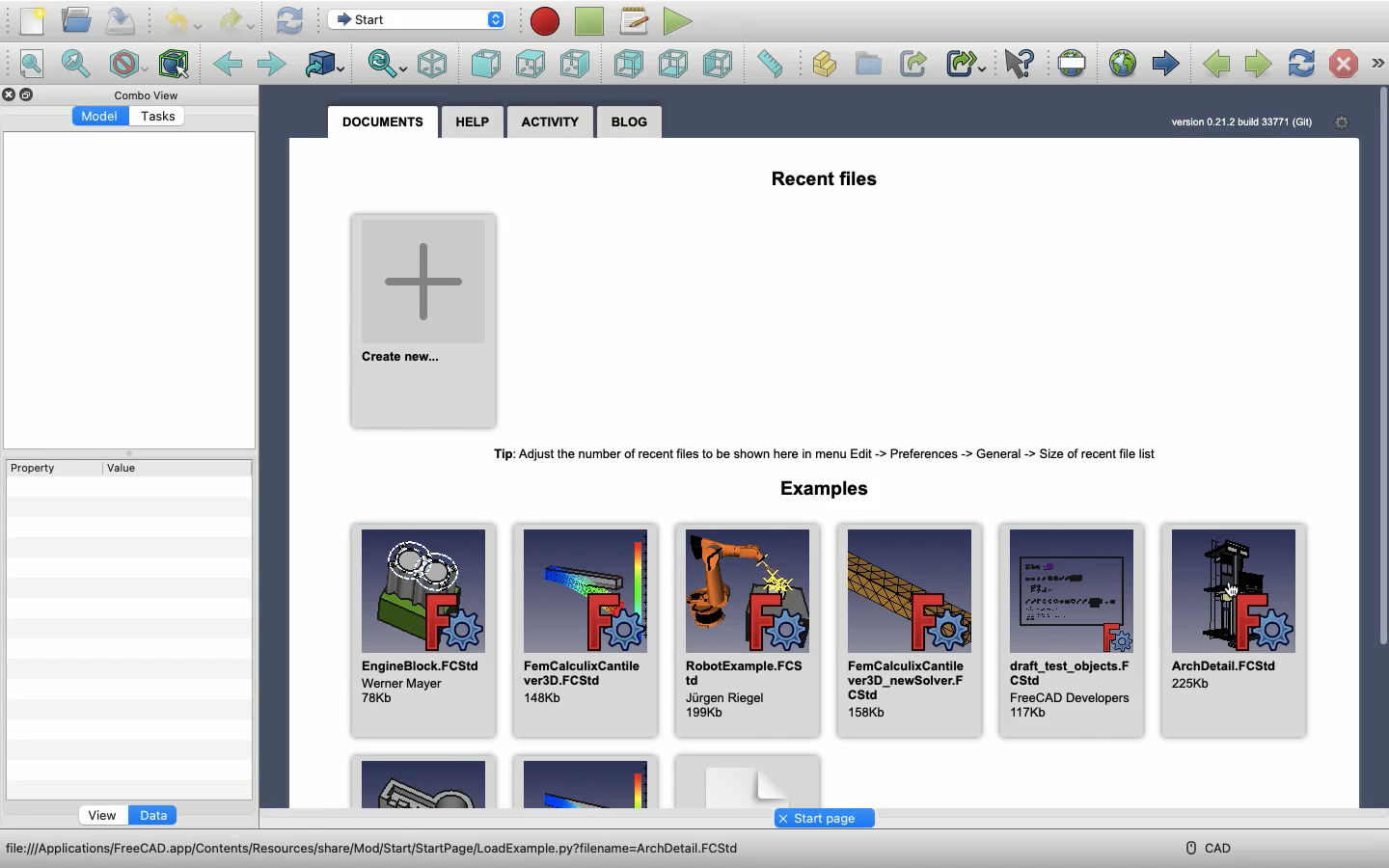  What do you see at coordinates (27, 95) in the screenshot?
I see `Collapse` at bounding box center [27, 95].